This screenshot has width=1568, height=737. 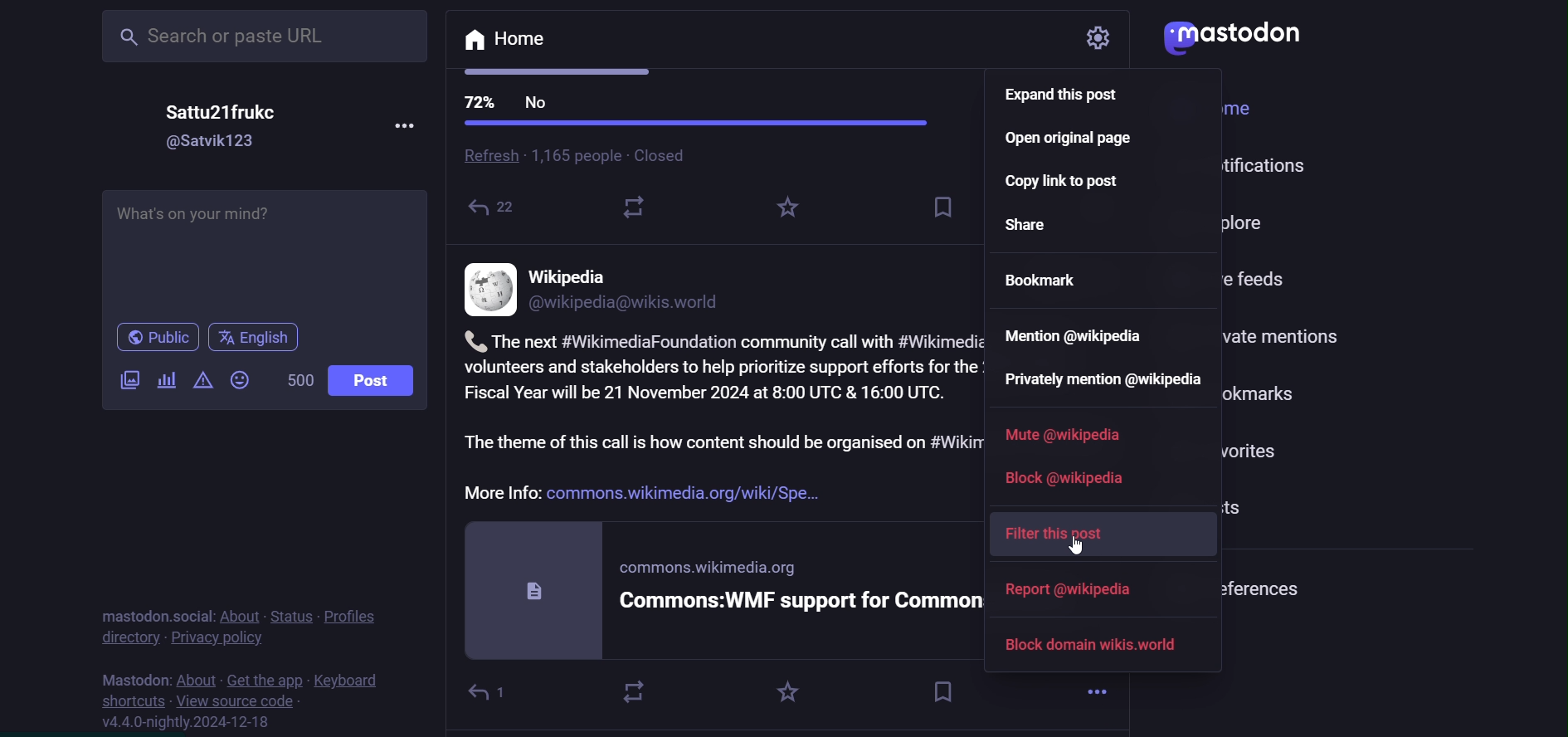 I want to click on id, so click(x=202, y=144).